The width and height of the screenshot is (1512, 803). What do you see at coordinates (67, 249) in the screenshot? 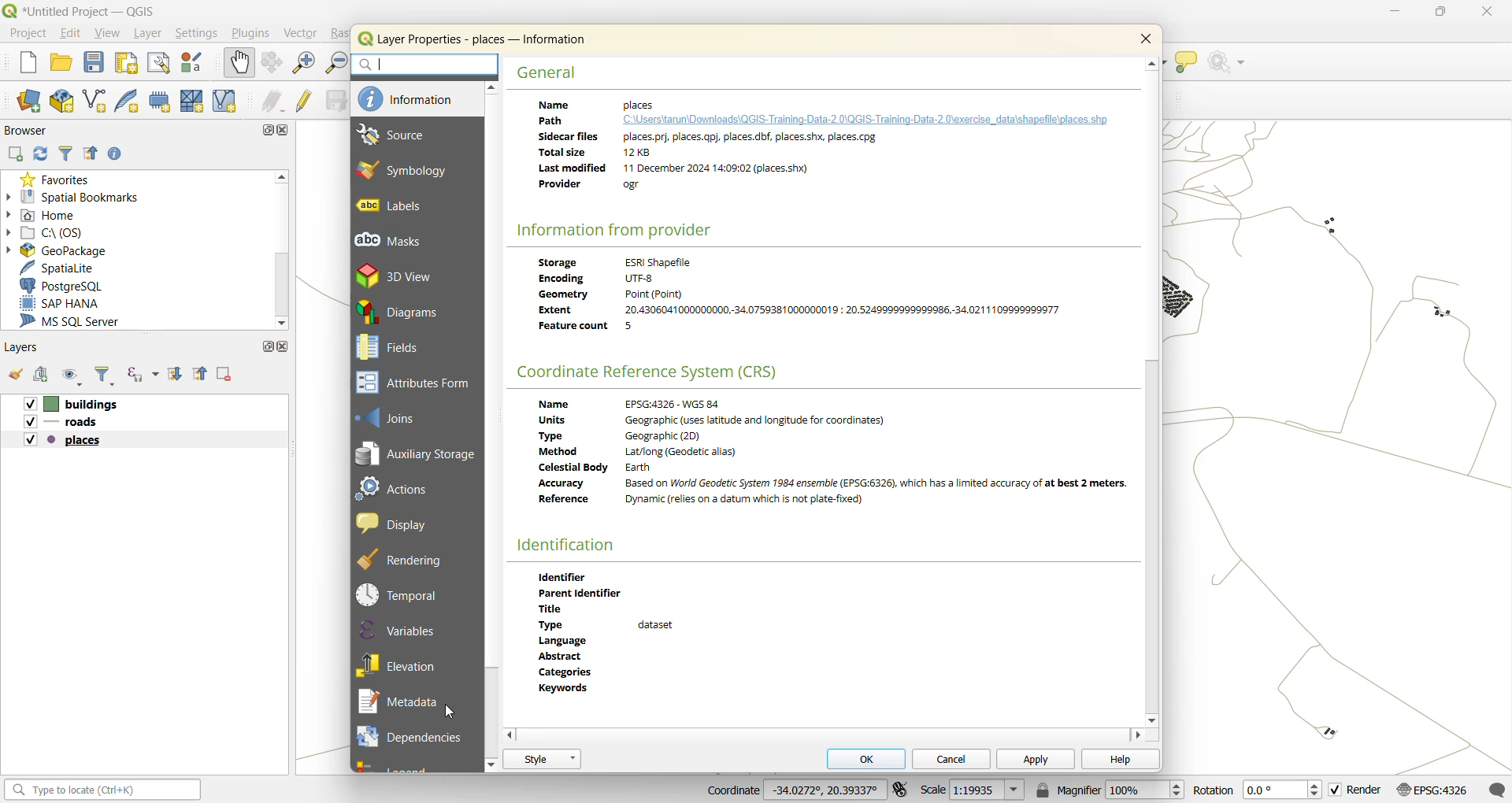
I see `geopackage` at bounding box center [67, 249].